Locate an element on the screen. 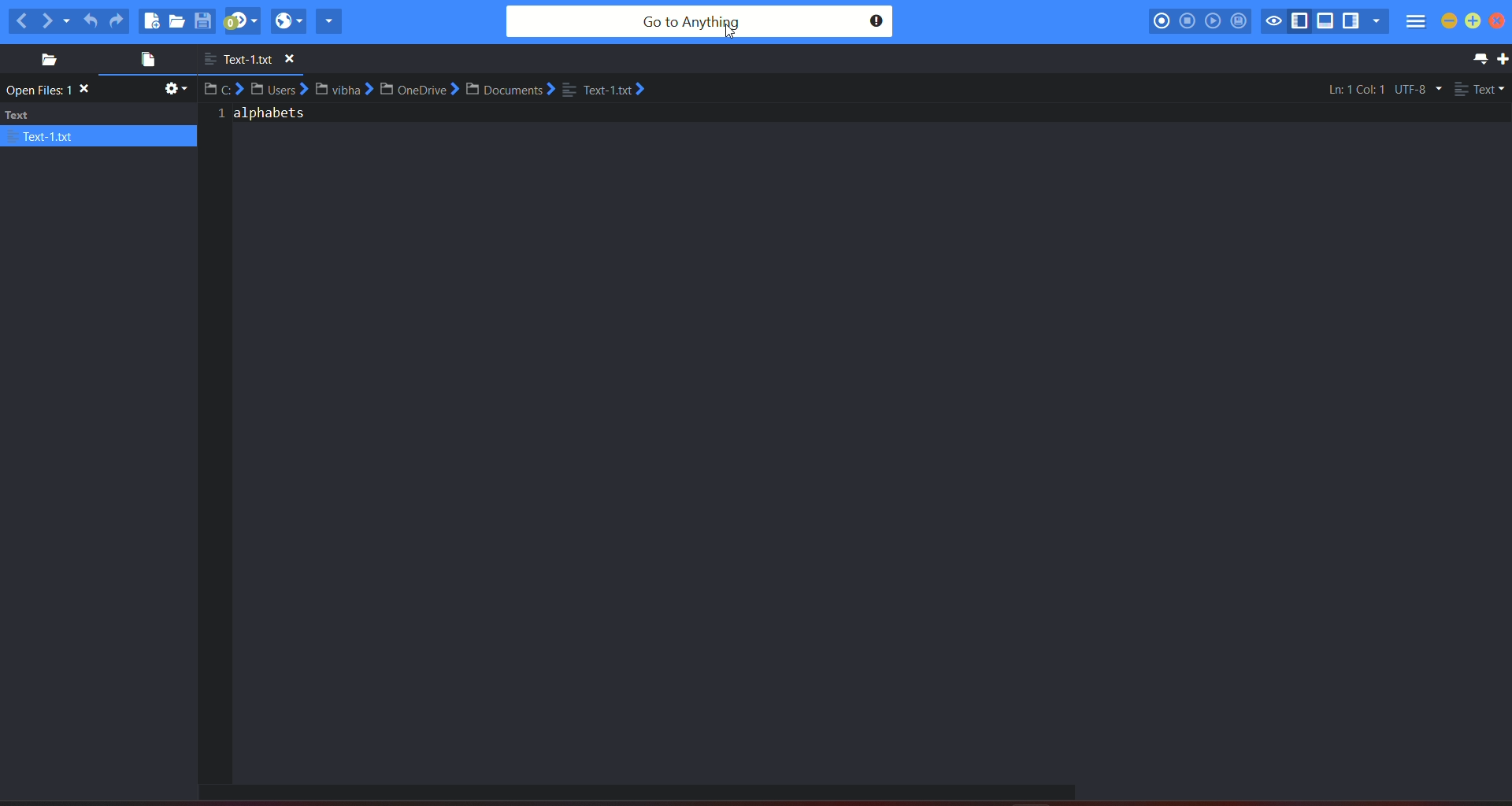 The image size is (1512, 806). next is located at coordinates (56, 20).